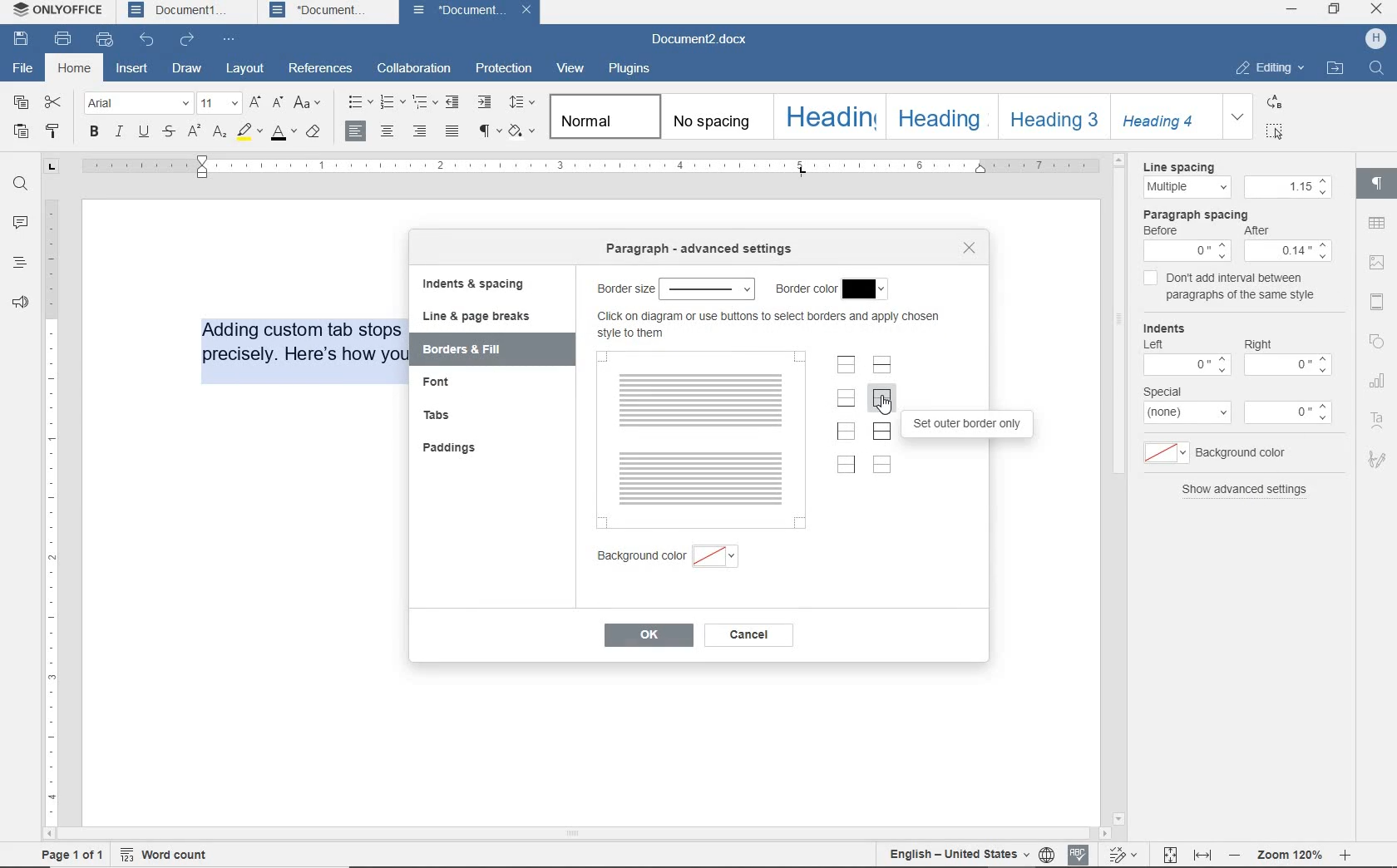 The image size is (1397, 868). Describe the element at coordinates (1377, 223) in the screenshot. I see `table` at that location.